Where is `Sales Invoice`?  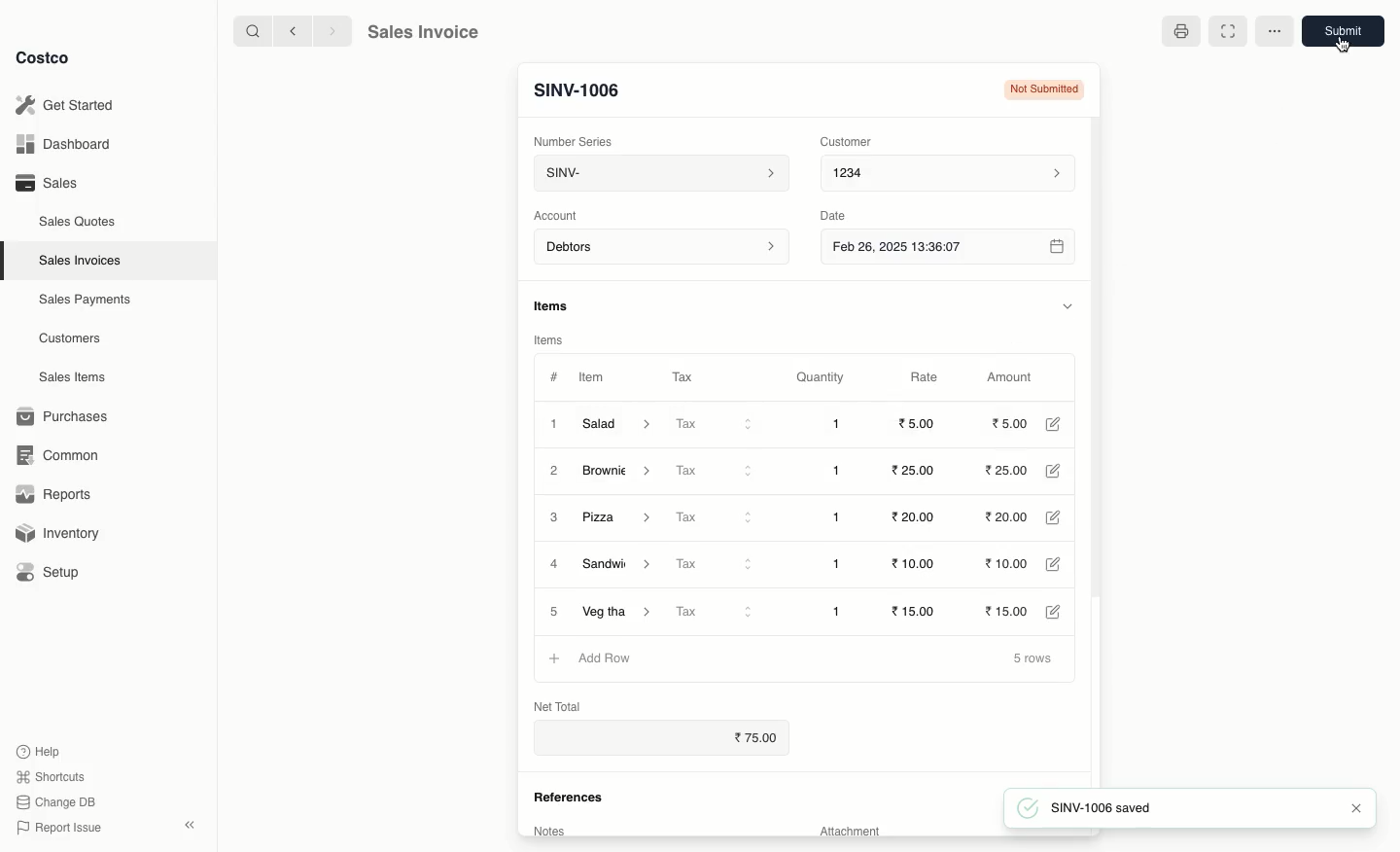
Sales Invoice is located at coordinates (423, 34).